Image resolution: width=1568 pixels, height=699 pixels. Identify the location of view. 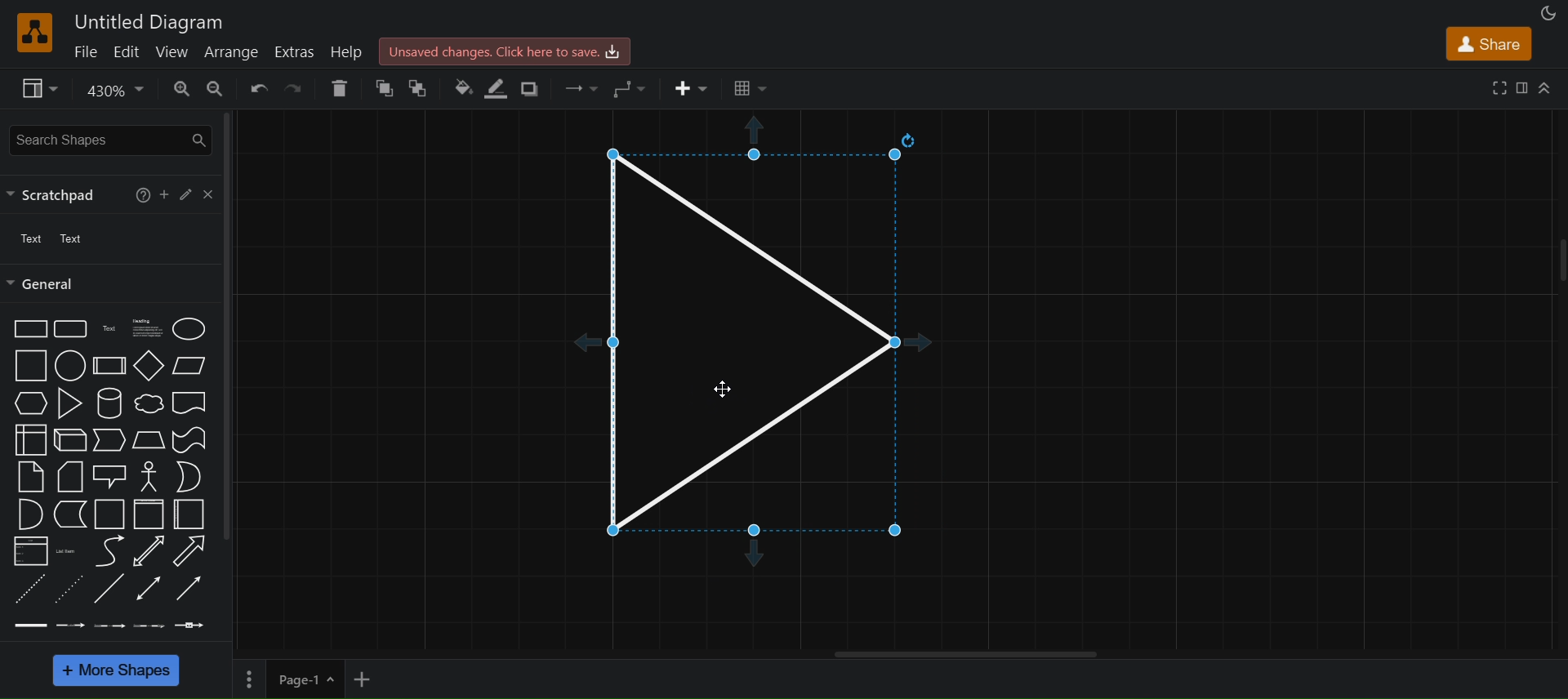
(173, 50).